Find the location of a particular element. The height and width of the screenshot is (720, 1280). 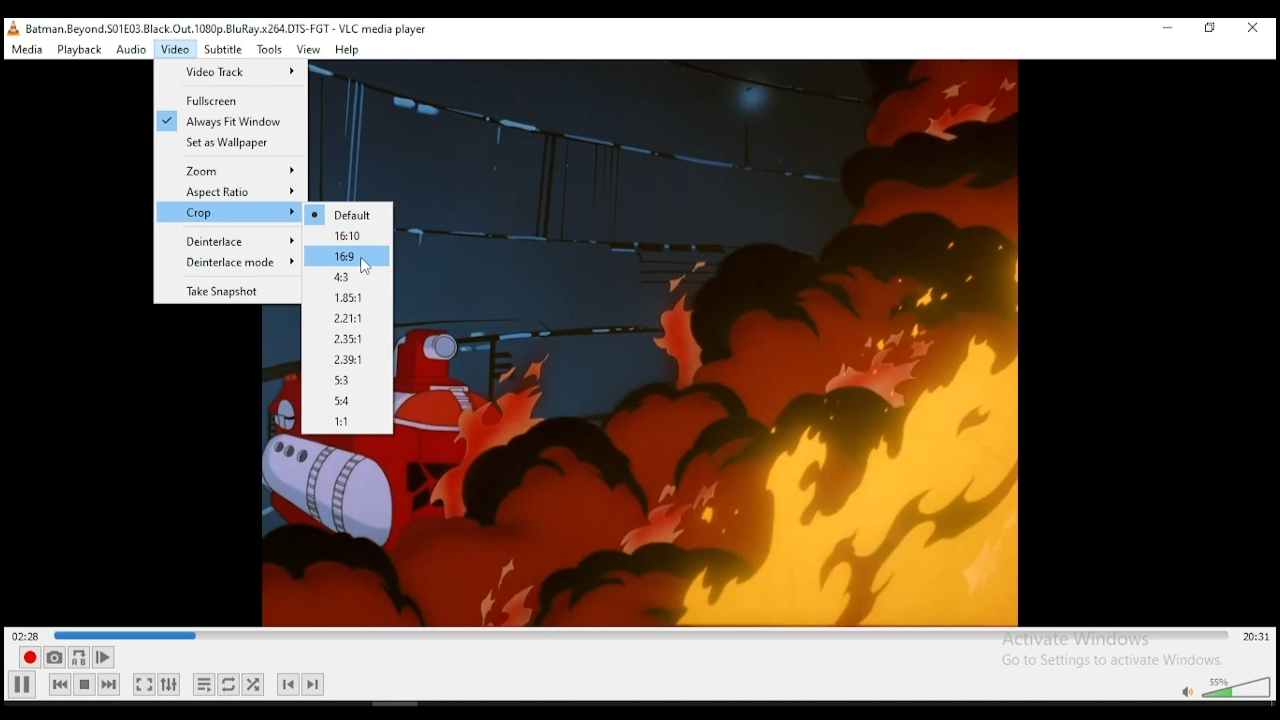

toggle video in fullscrenn is located at coordinates (144, 685).